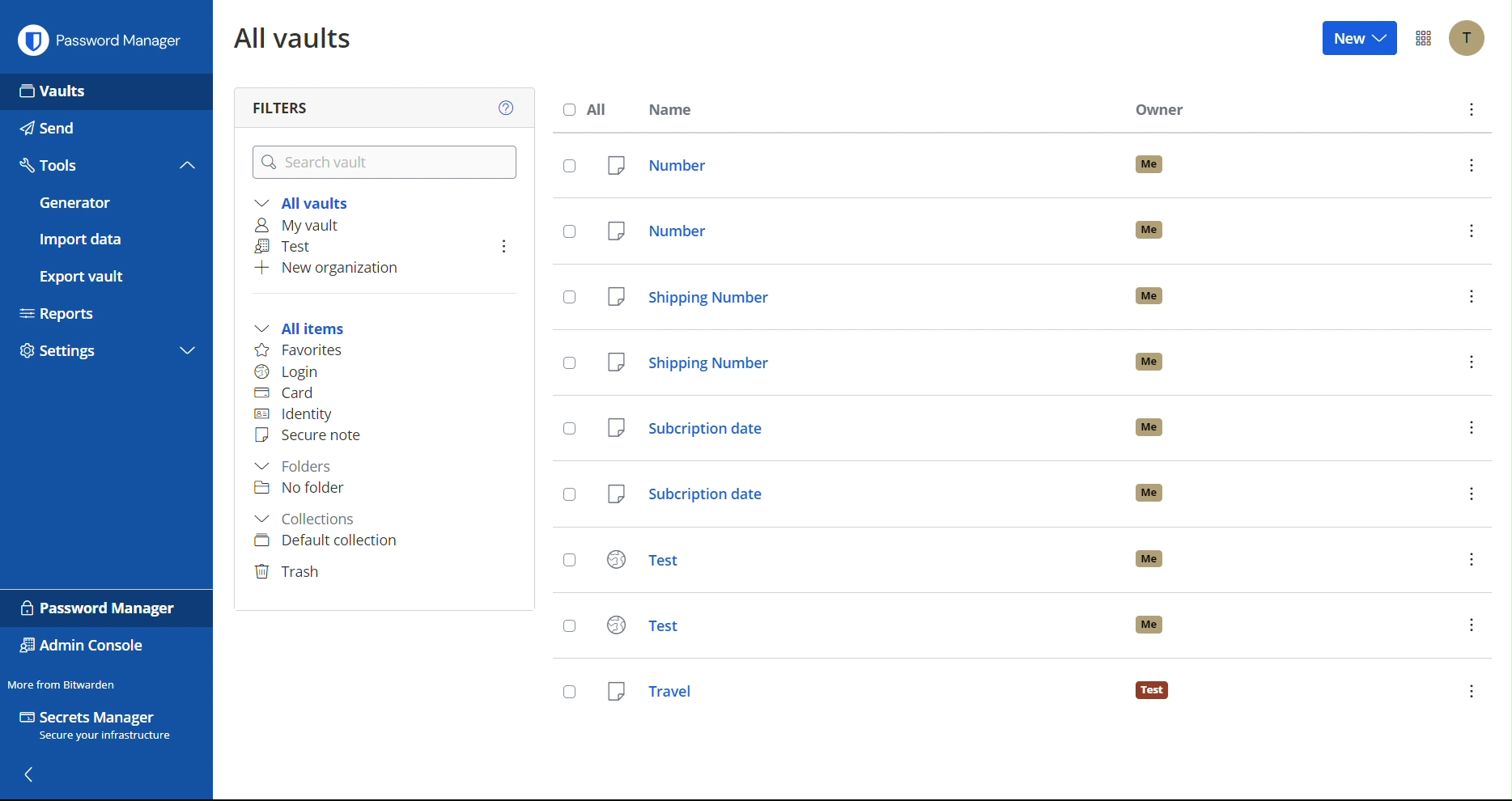 This screenshot has height=801, width=1512. I want to click on Import data, so click(105, 239).